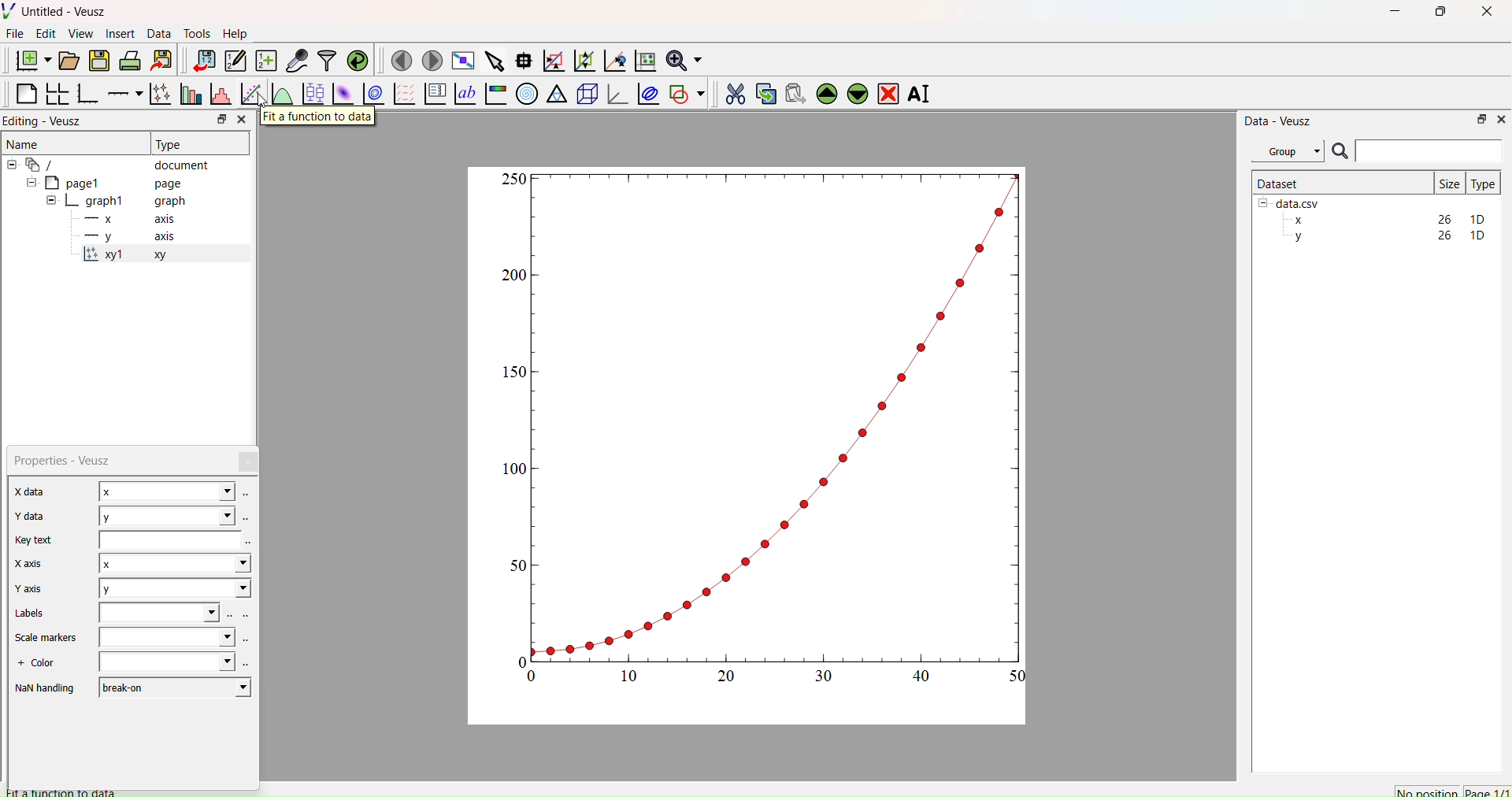 This screenshot has width=1512, height=797. Describe the element at coordinates (24, 143) in the screenshot. I see `Name` at that location.